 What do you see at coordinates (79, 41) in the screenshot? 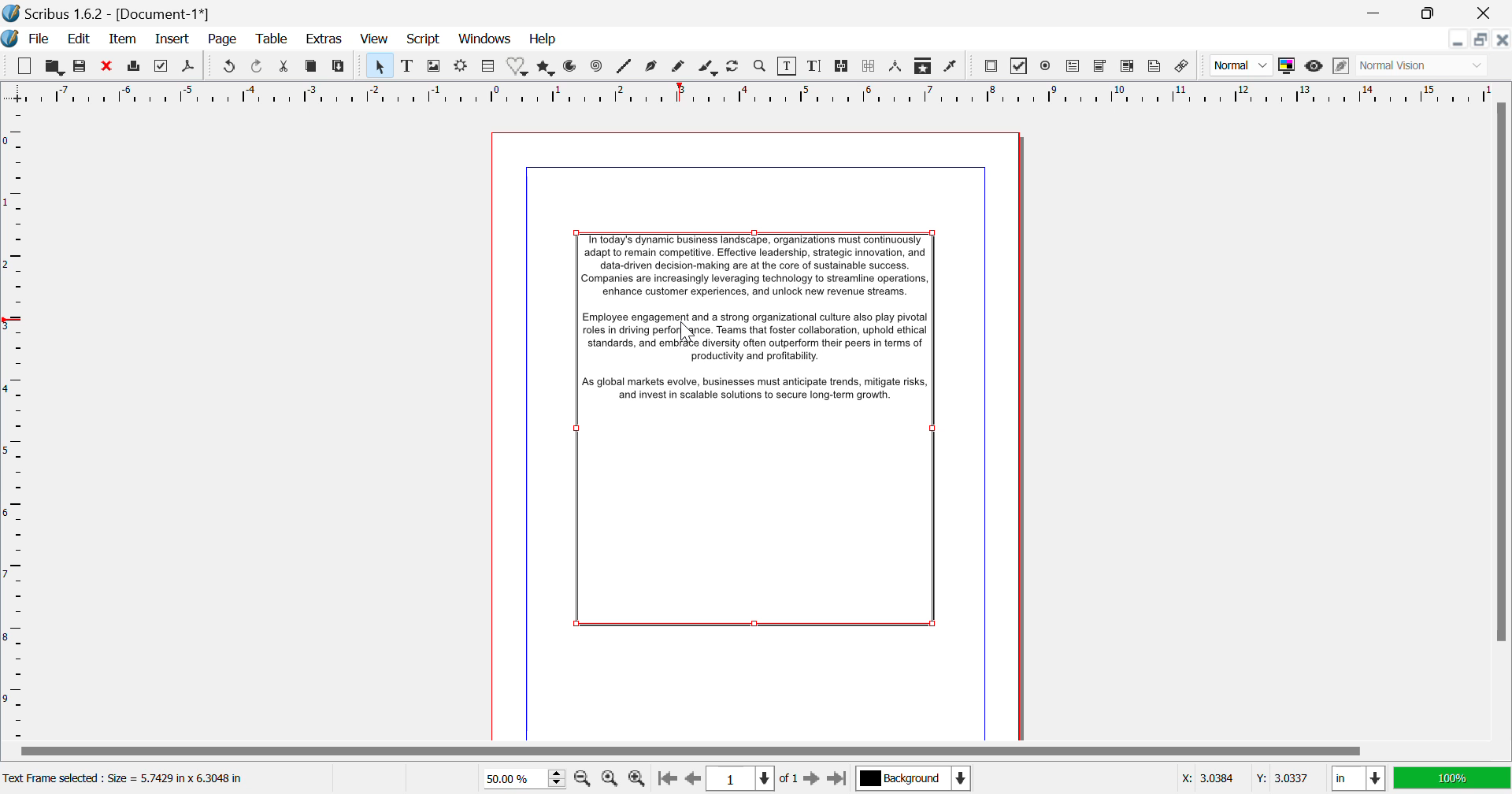
I see `Edit` at bounding box center [79, 41].